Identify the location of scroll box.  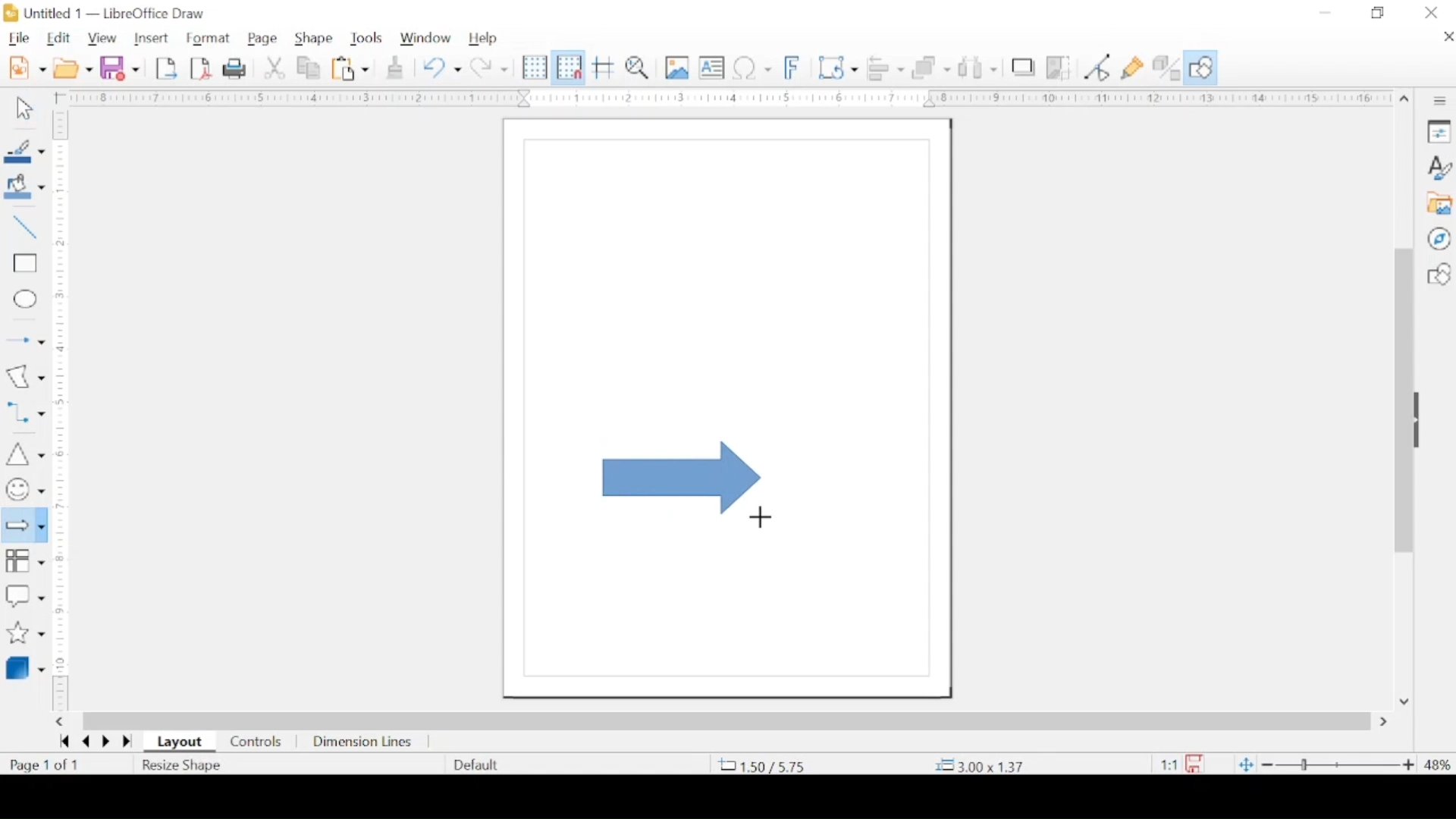
(727, 721).